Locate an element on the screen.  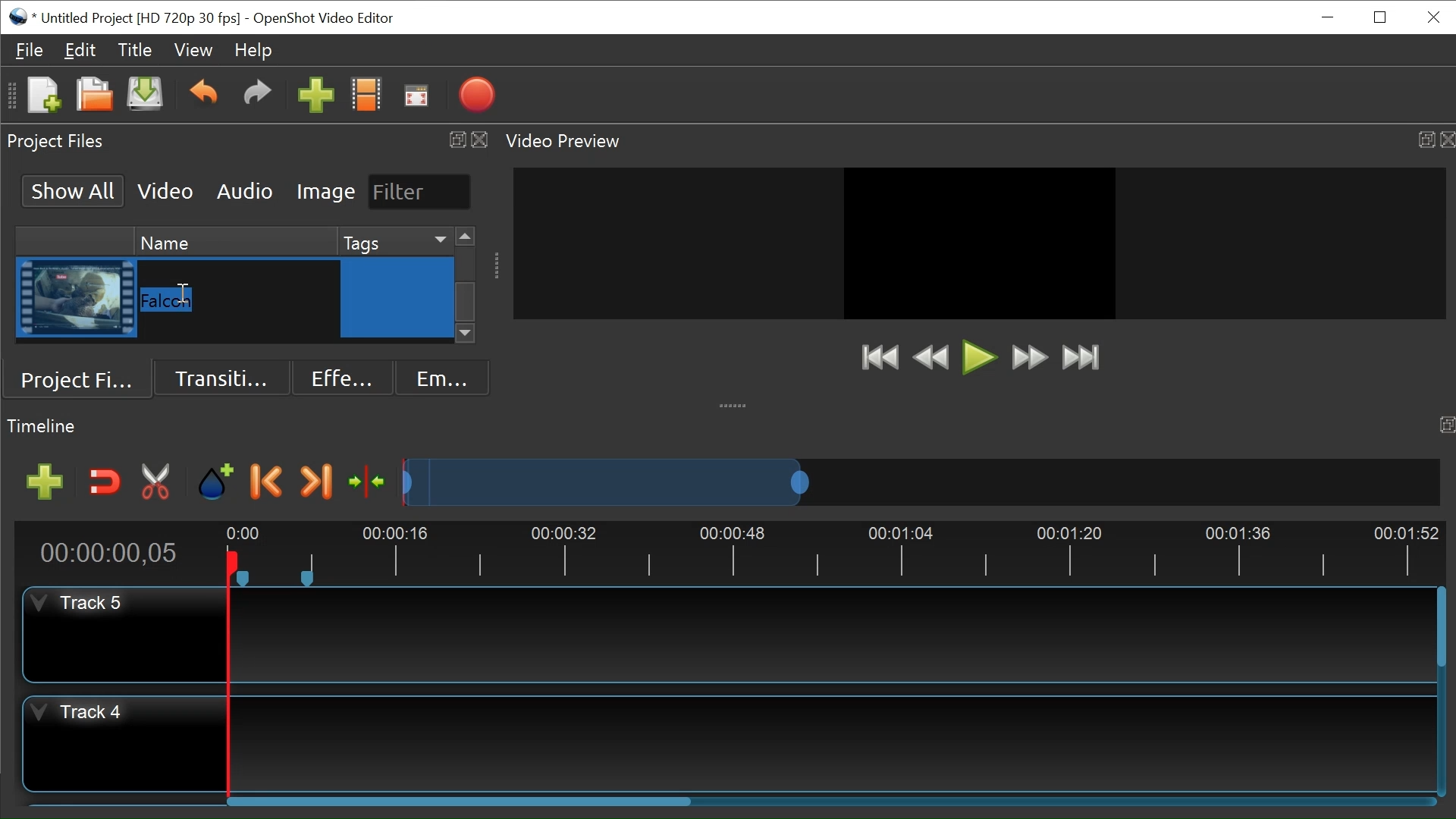
OpenShot Desktop icon is located at coordinates (19, 15).